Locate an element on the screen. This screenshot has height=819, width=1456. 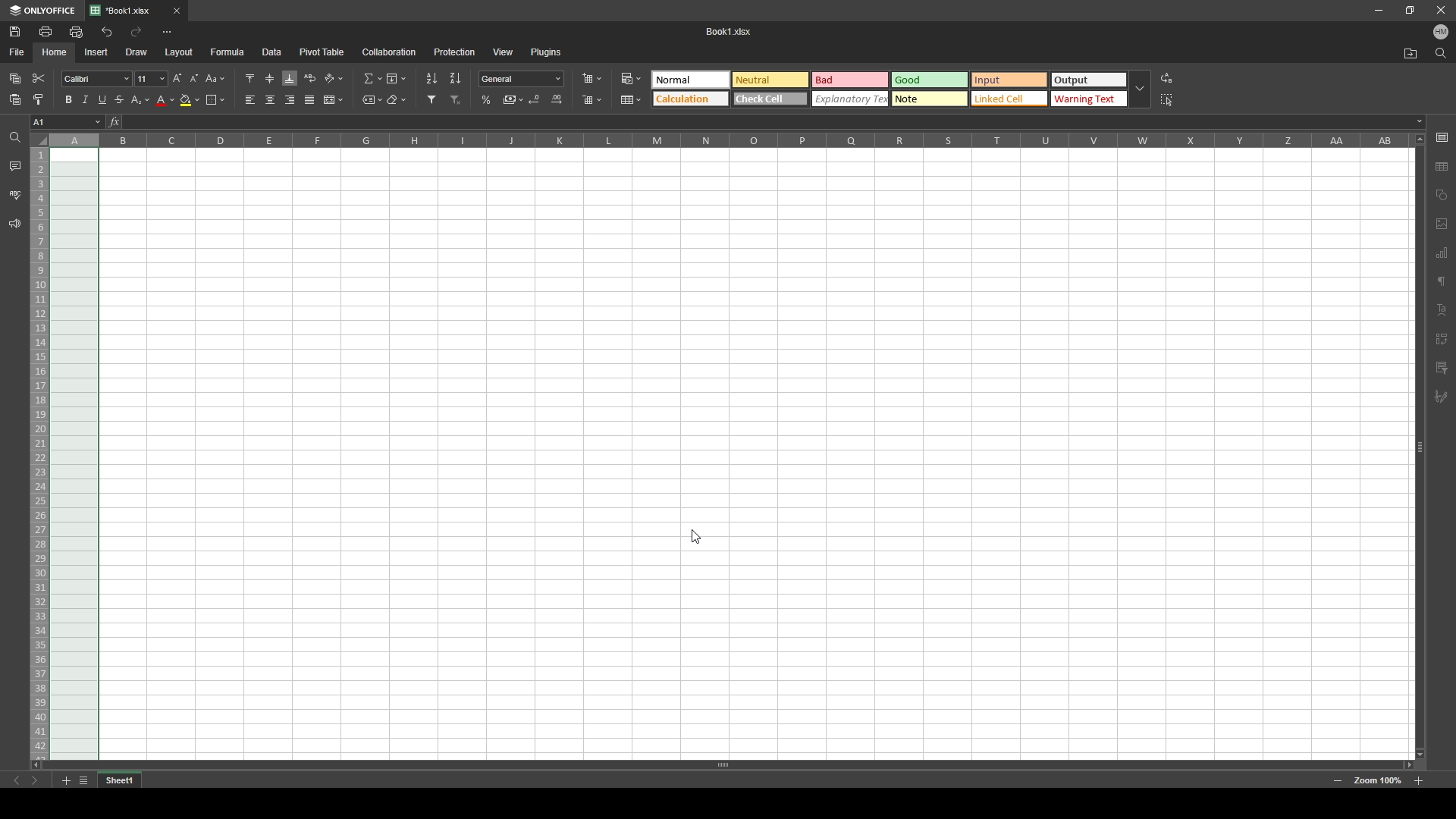
fill is located at coordinates (395, 78).